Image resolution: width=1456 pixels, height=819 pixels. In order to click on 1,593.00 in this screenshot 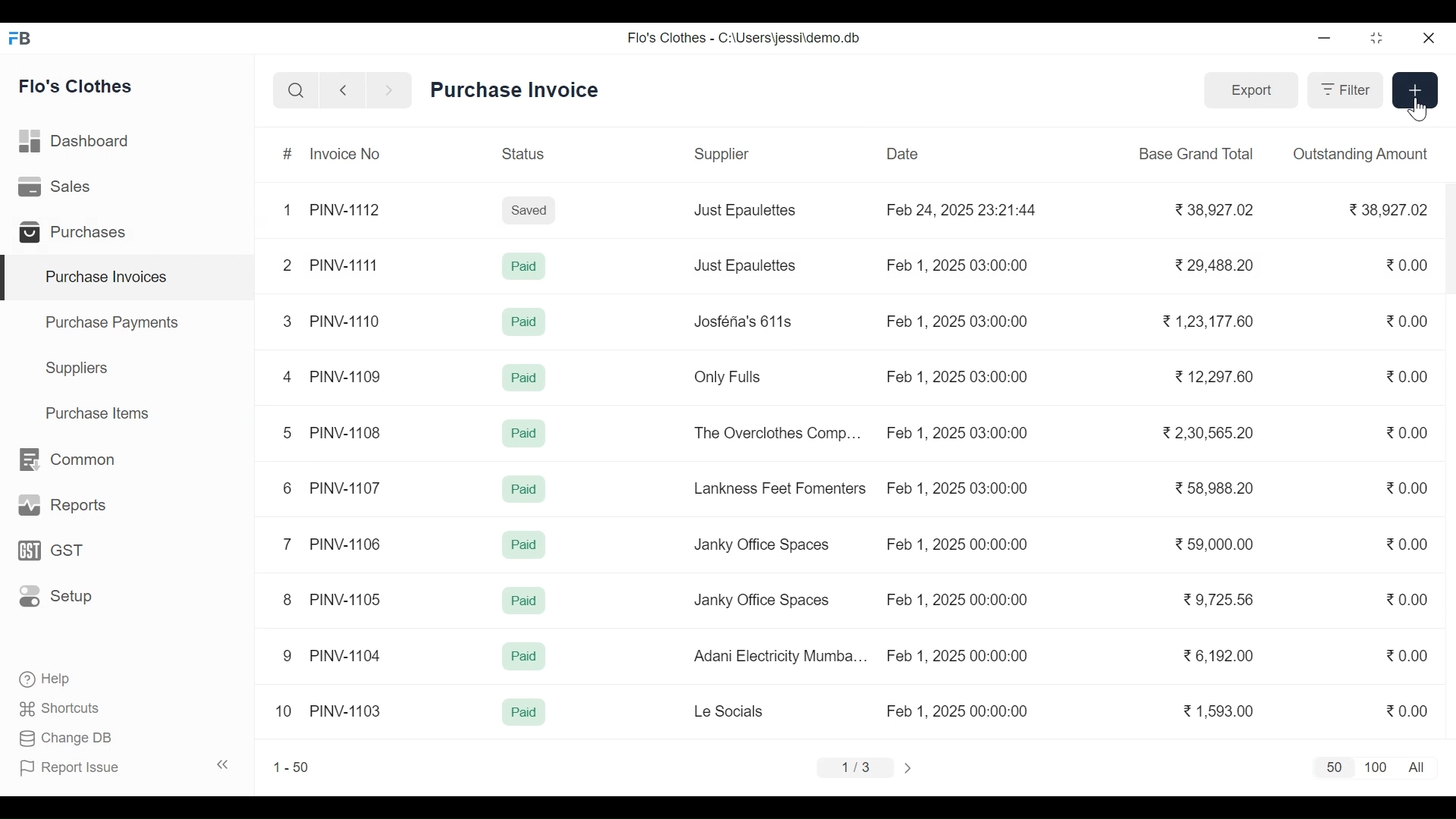, I will do `click(1218, 710)`.